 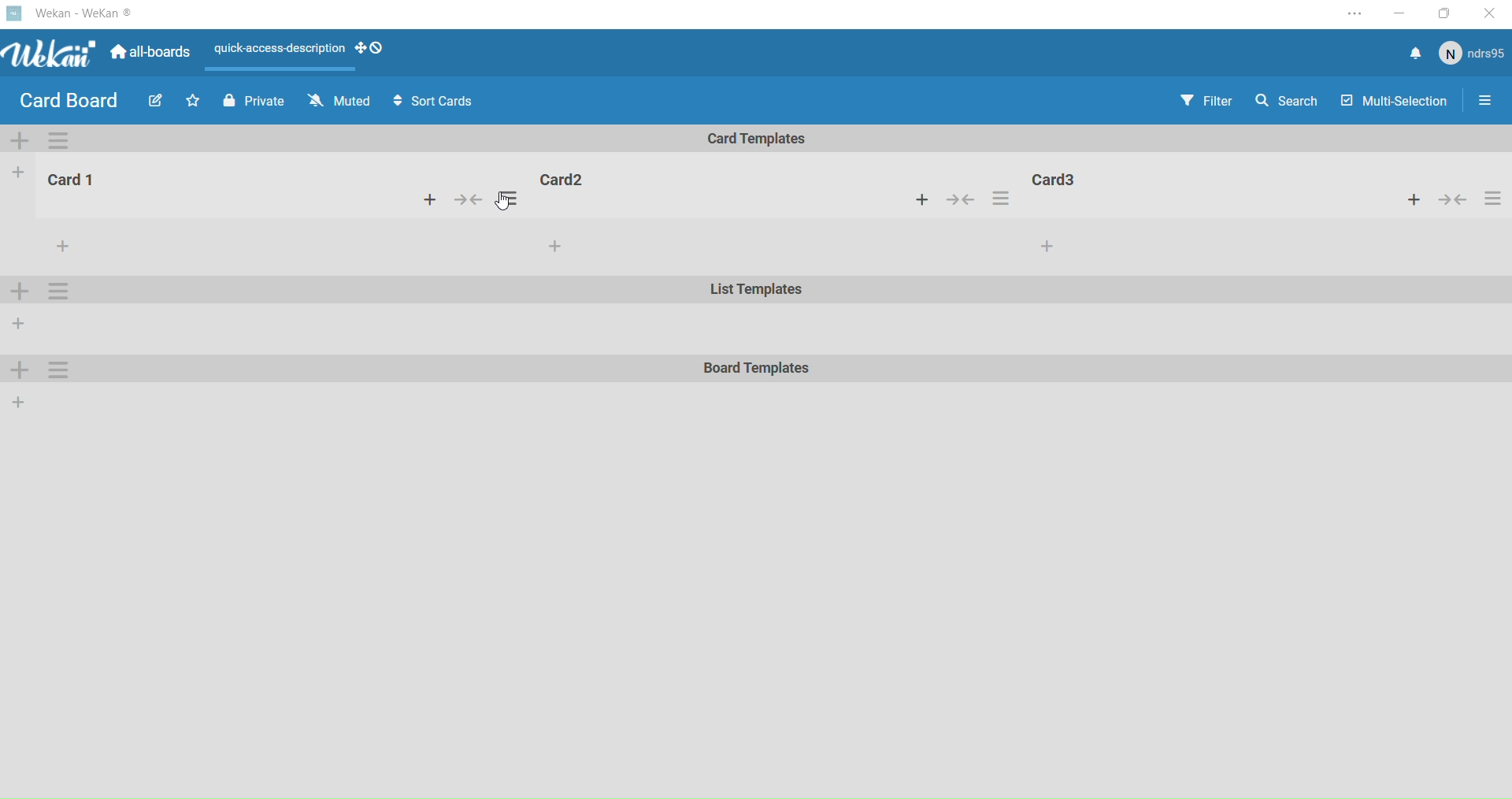 What do you see at coordinates (563, 181) in the screenshot?
I see `Card2` at bounding box center [563, 181].